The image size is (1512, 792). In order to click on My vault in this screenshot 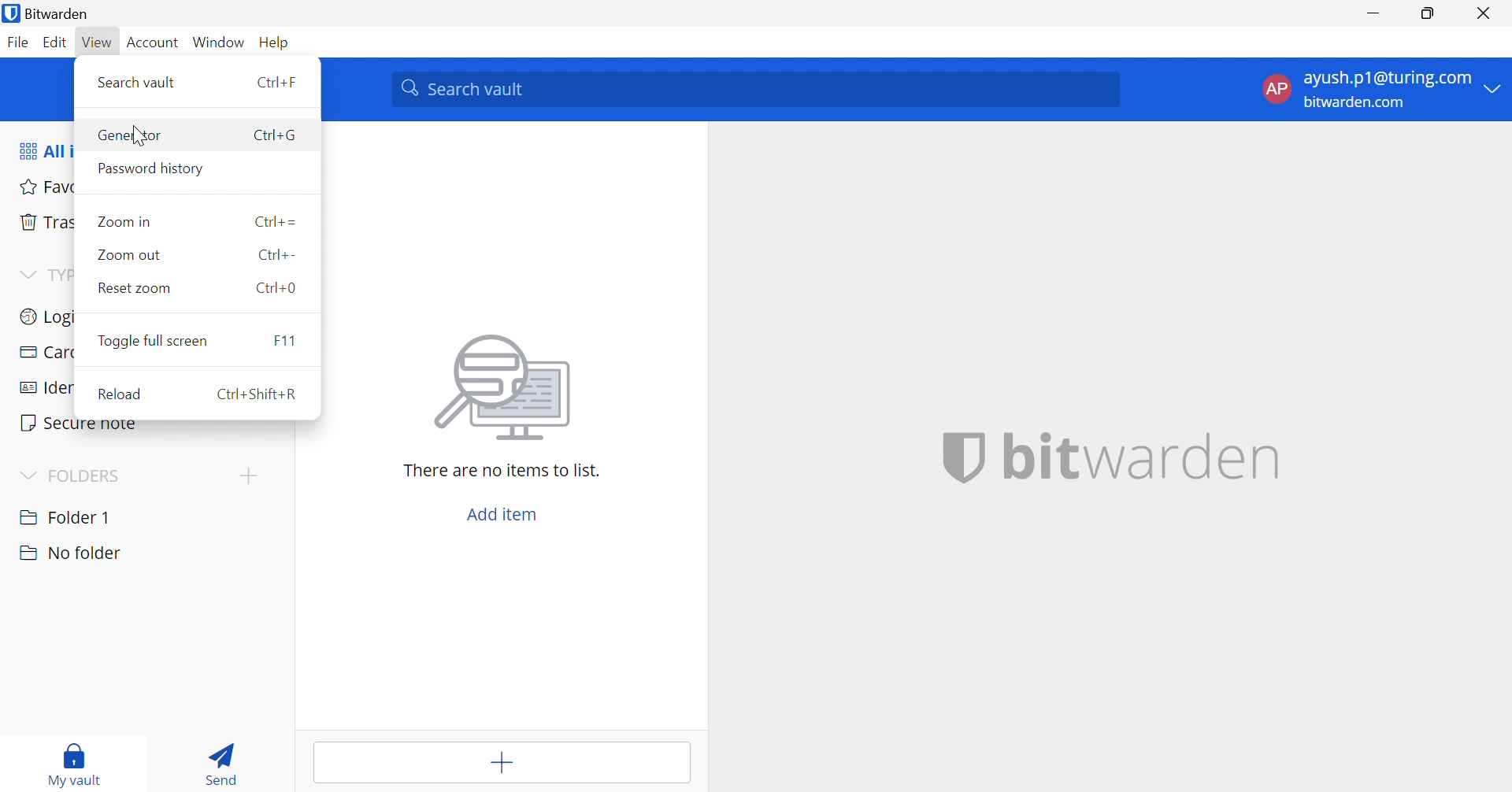, I will do `click(80, 764)`.